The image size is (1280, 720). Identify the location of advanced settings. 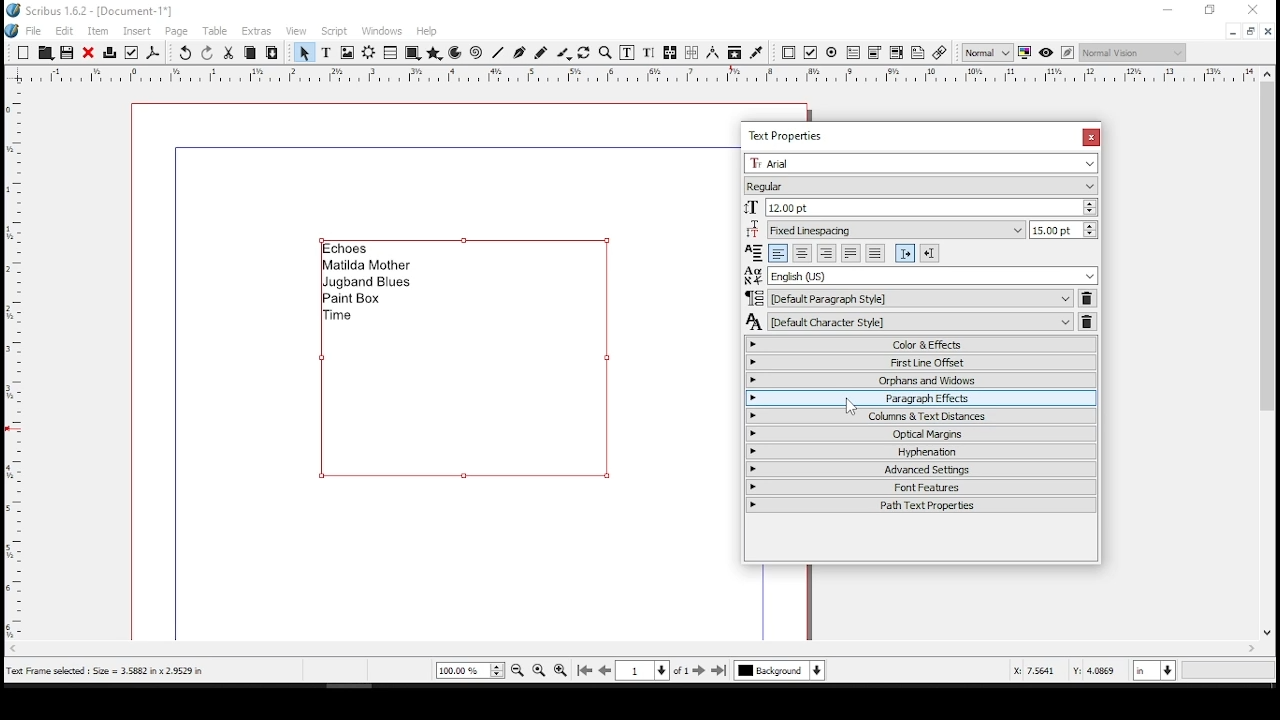
(921, 470).